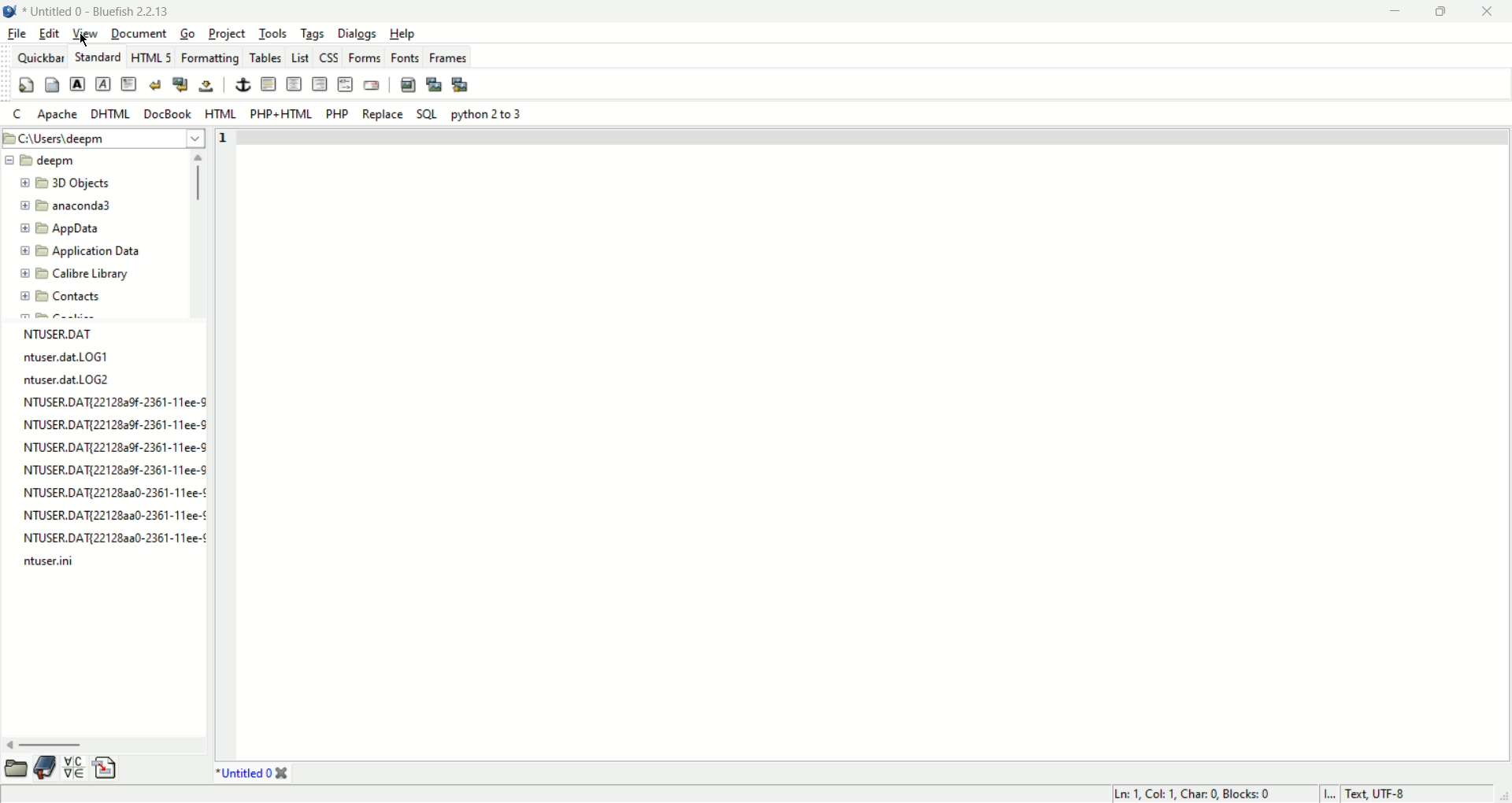 This screenshot has width=1512, height=803. What do you see at coordinates (104, 139) in the screenshot?
I see `location` at bounding box center [104, 139].